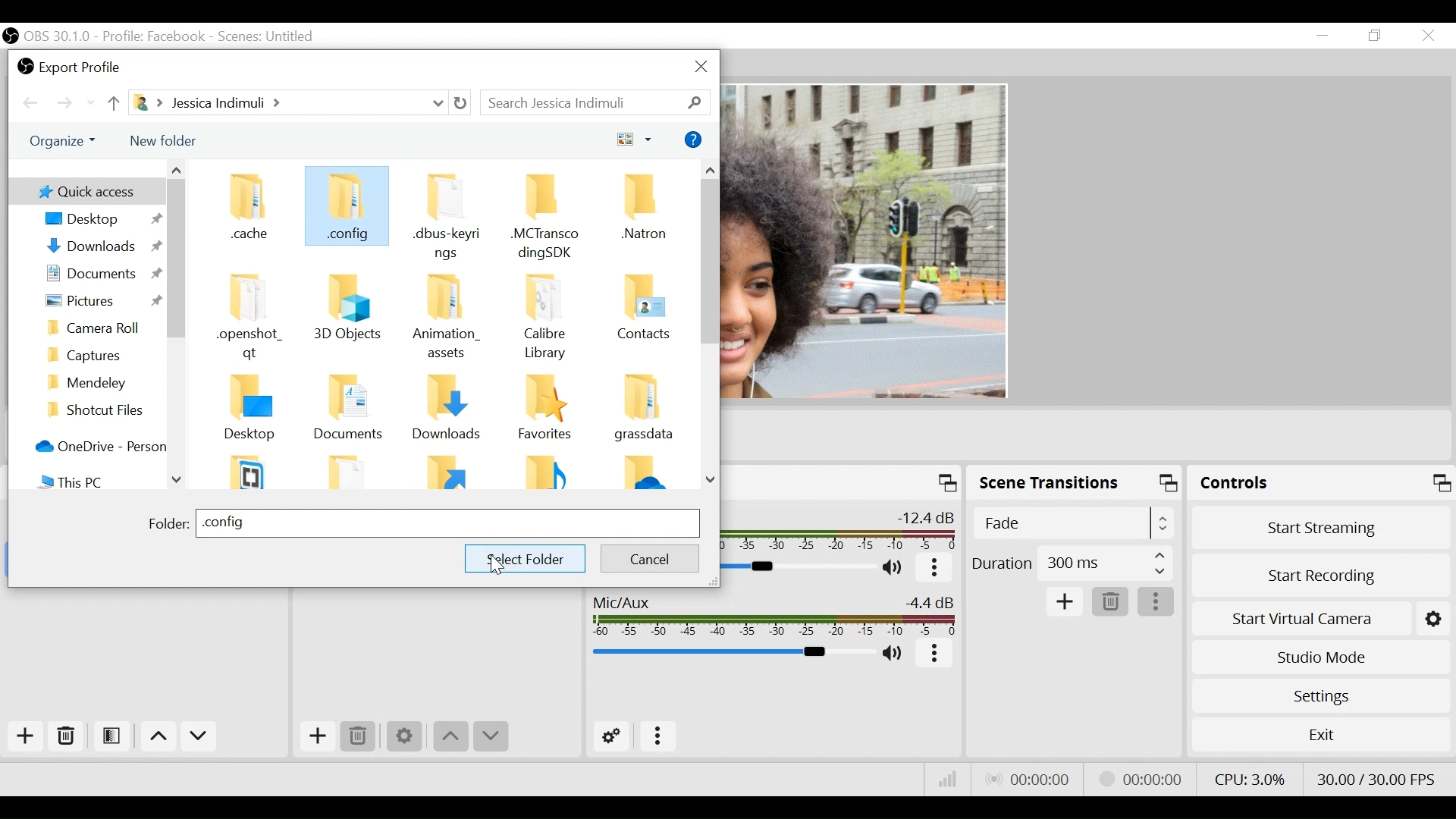 Image resolution: width=1456 pixels, height=819 pixels. I want to click on Folder, so click(548, 316).